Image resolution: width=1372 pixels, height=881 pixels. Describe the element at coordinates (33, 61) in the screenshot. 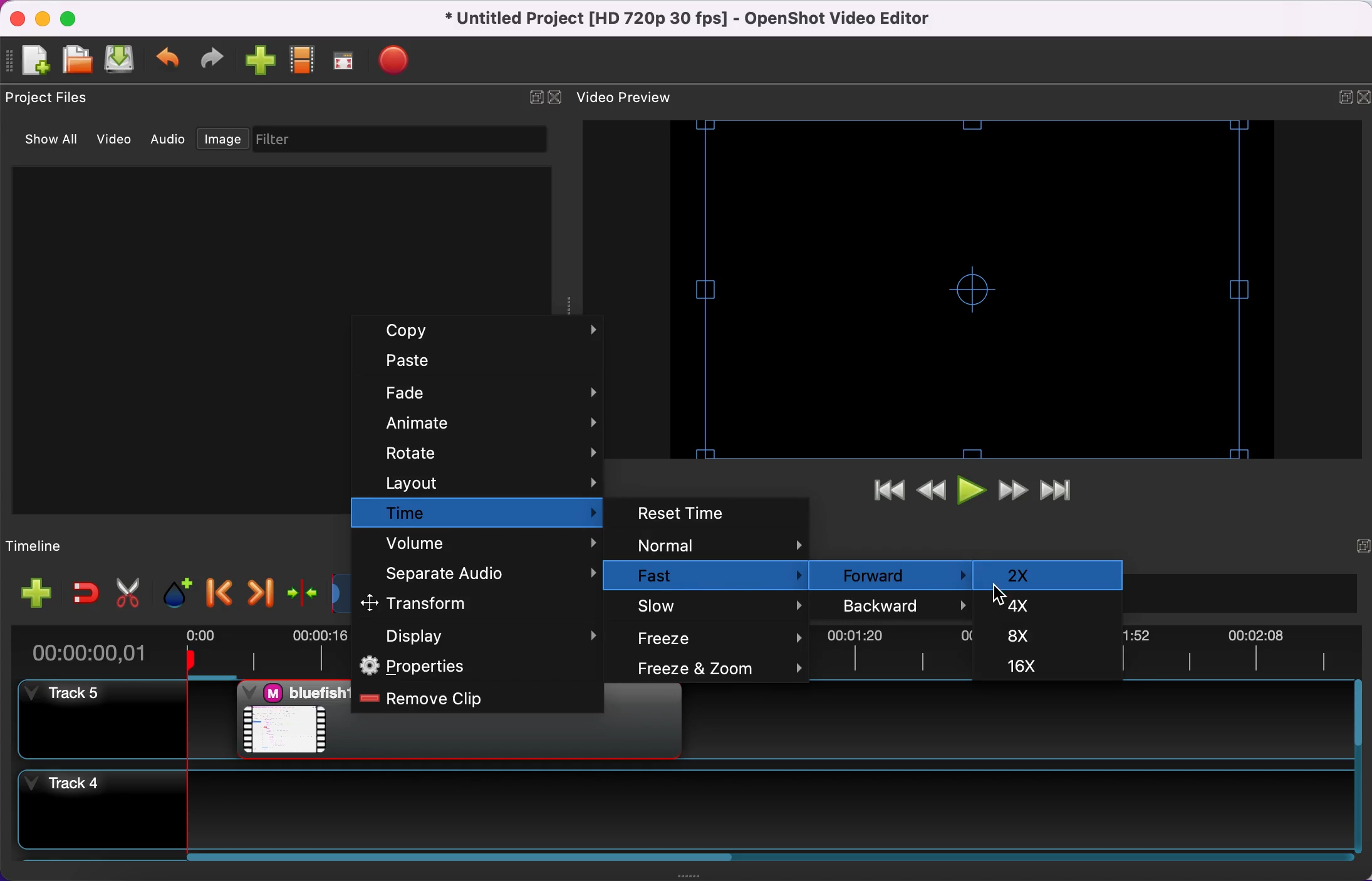

I see `add file` at that location.